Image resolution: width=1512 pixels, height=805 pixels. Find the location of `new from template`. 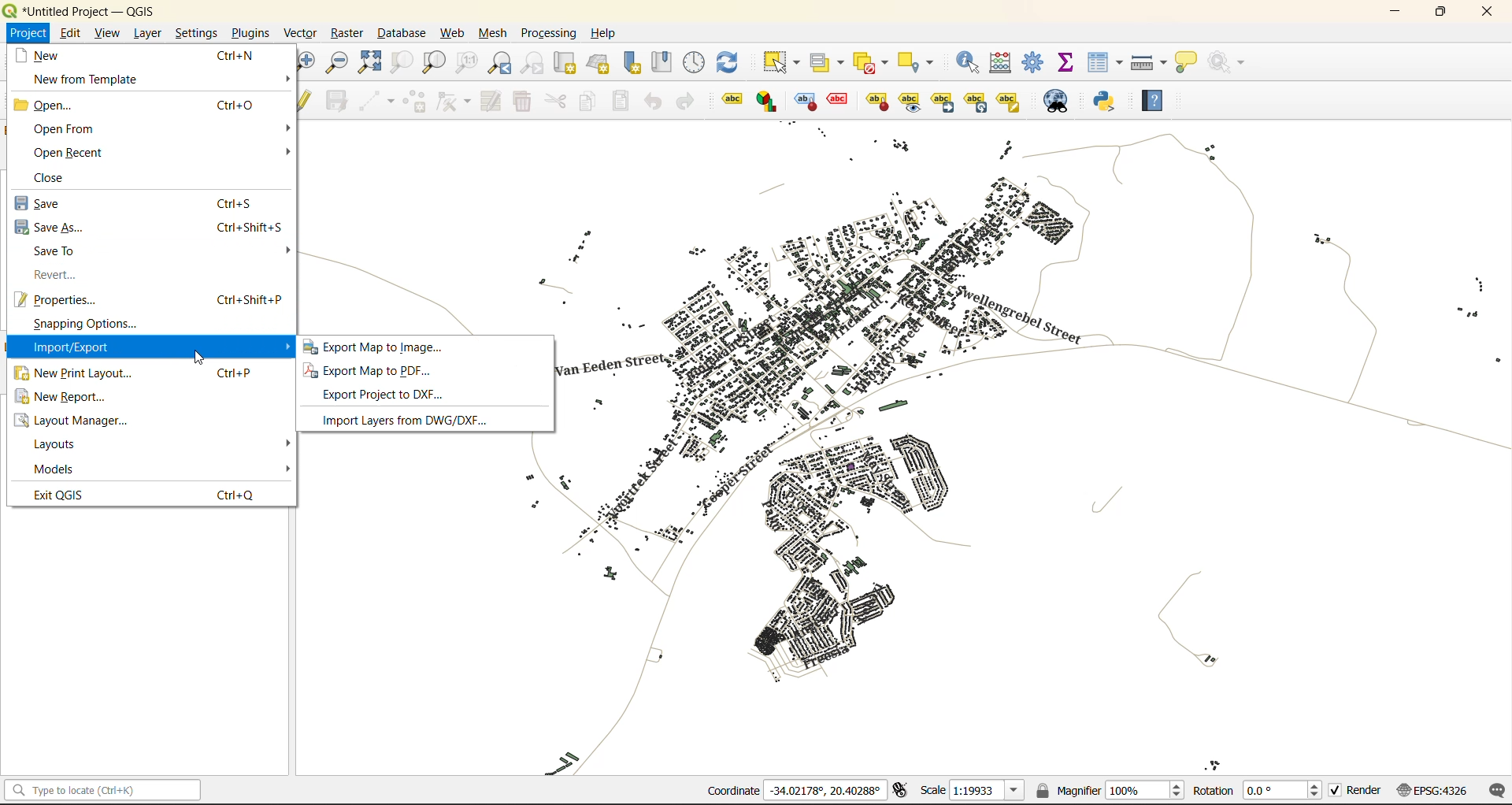

new from template is located at coordinates (86, 80).